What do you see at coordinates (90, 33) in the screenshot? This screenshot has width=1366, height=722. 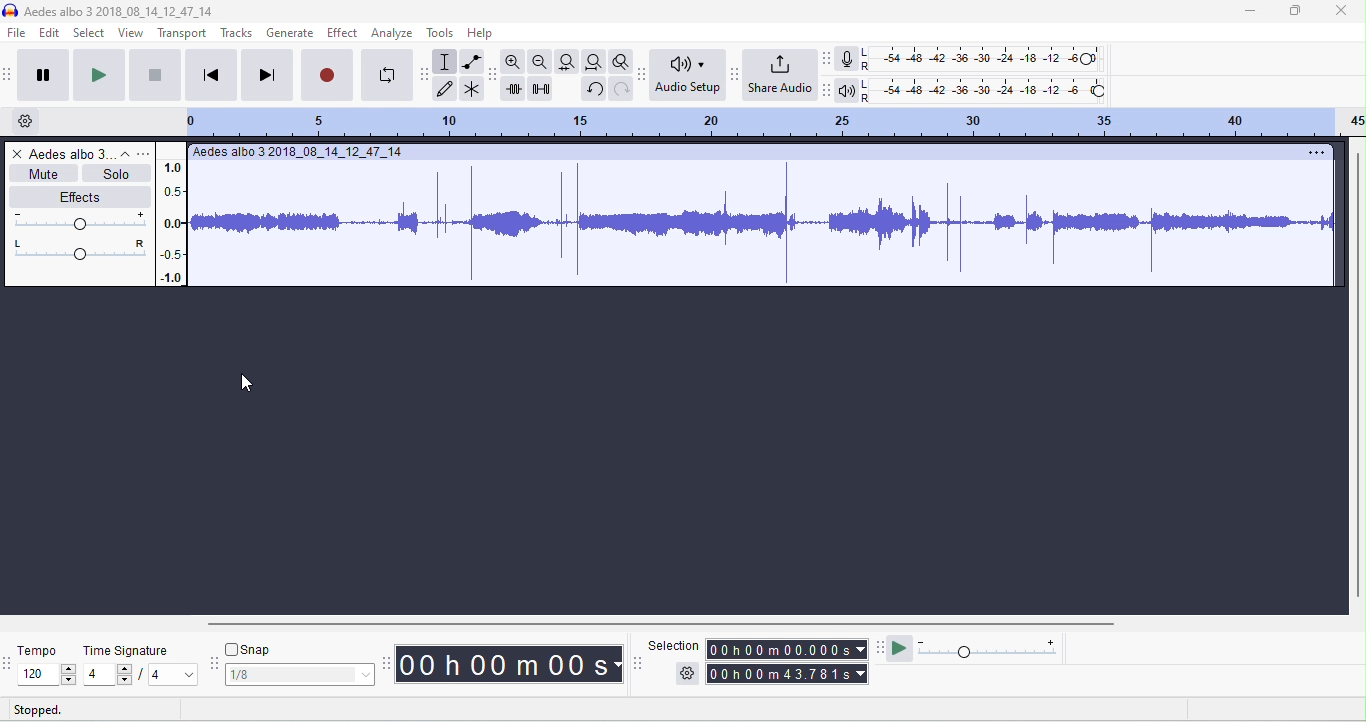 I see `select` at bounding box center [90, 33].